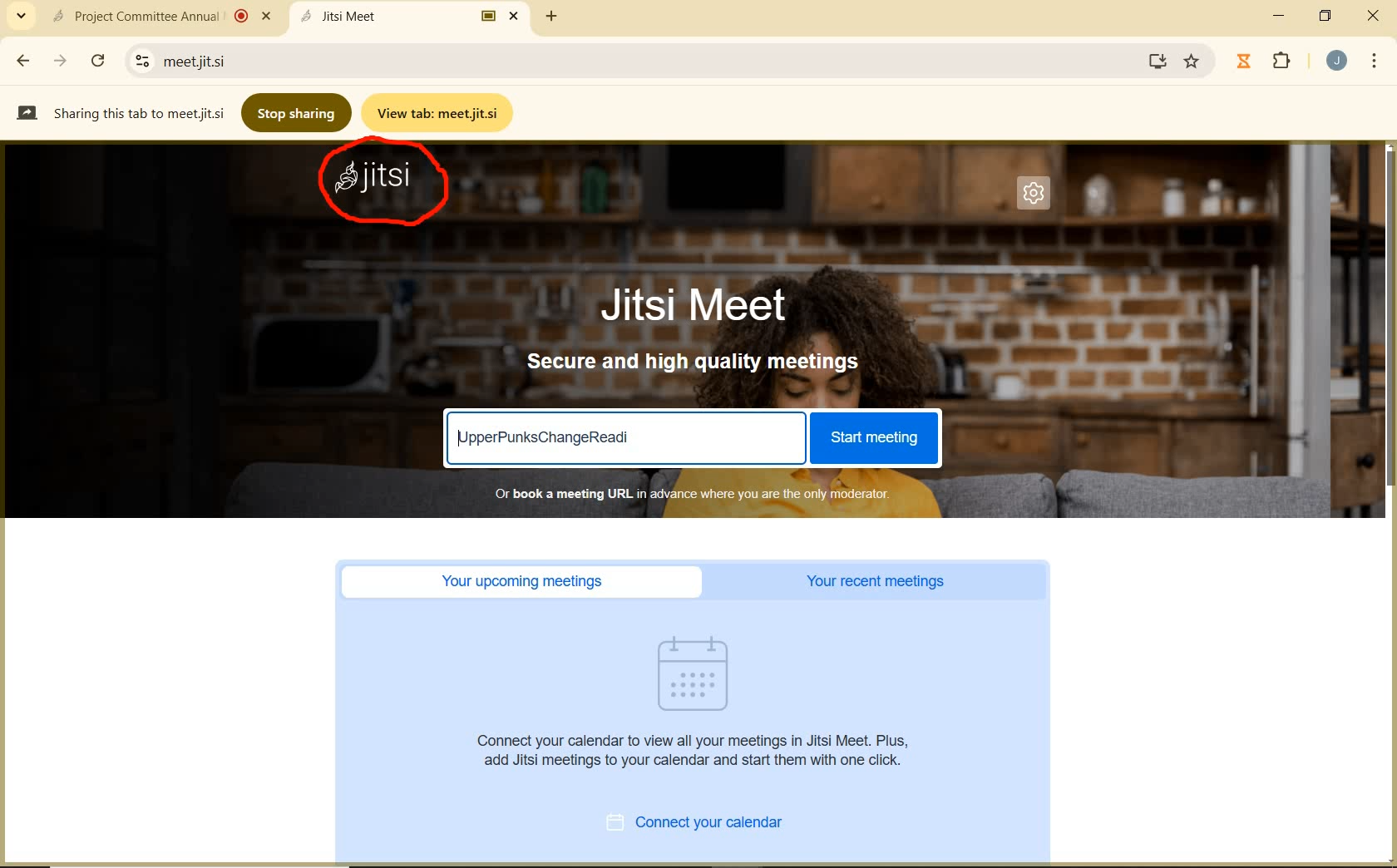 The height and width of the screenshot is (868, 1397). I want to click on Project Committee Annual, so click(159, 16).